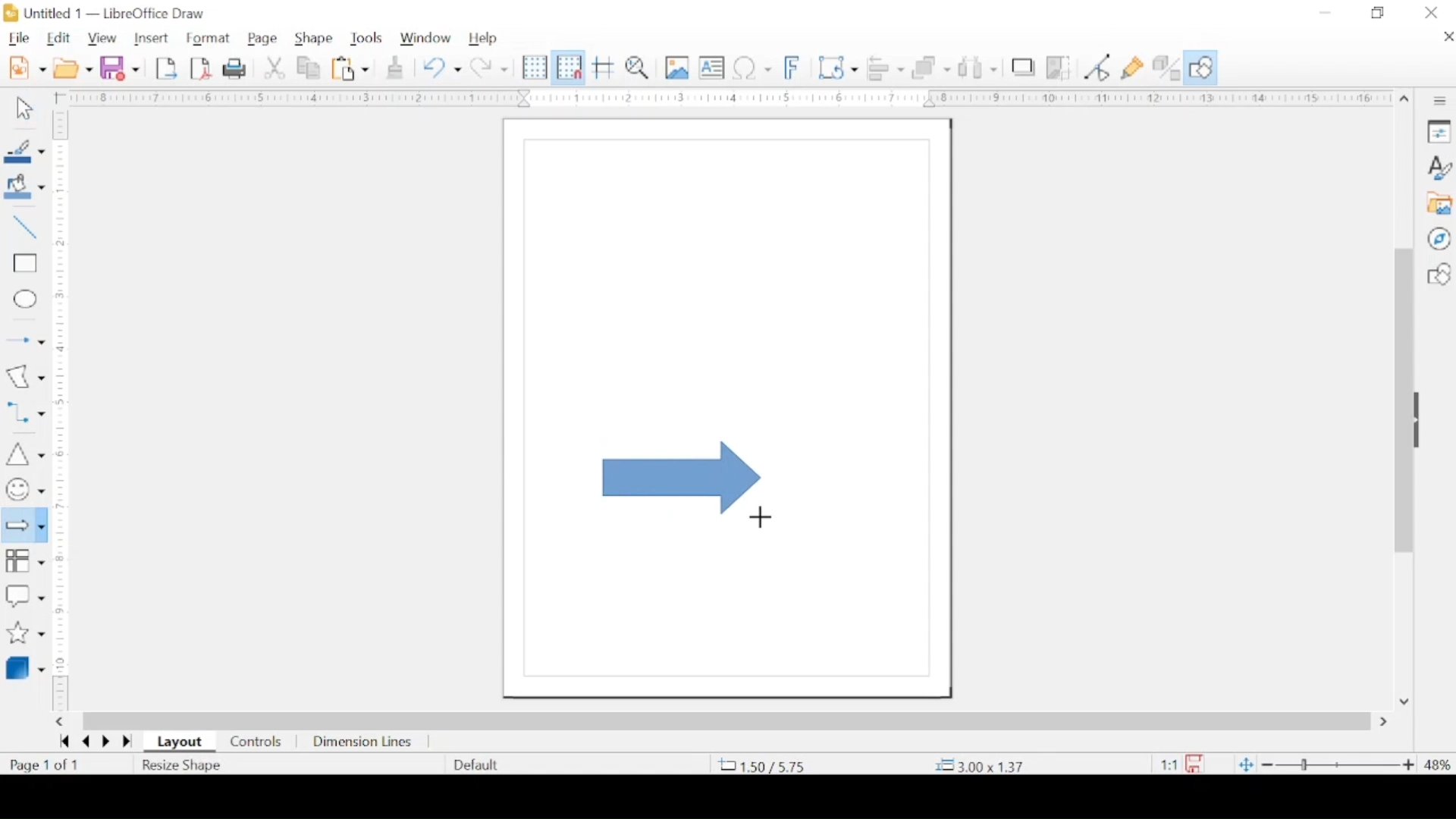  Describe the element at coordinates (711, 67) in the screenshot. I see `insert textbox` at that location.